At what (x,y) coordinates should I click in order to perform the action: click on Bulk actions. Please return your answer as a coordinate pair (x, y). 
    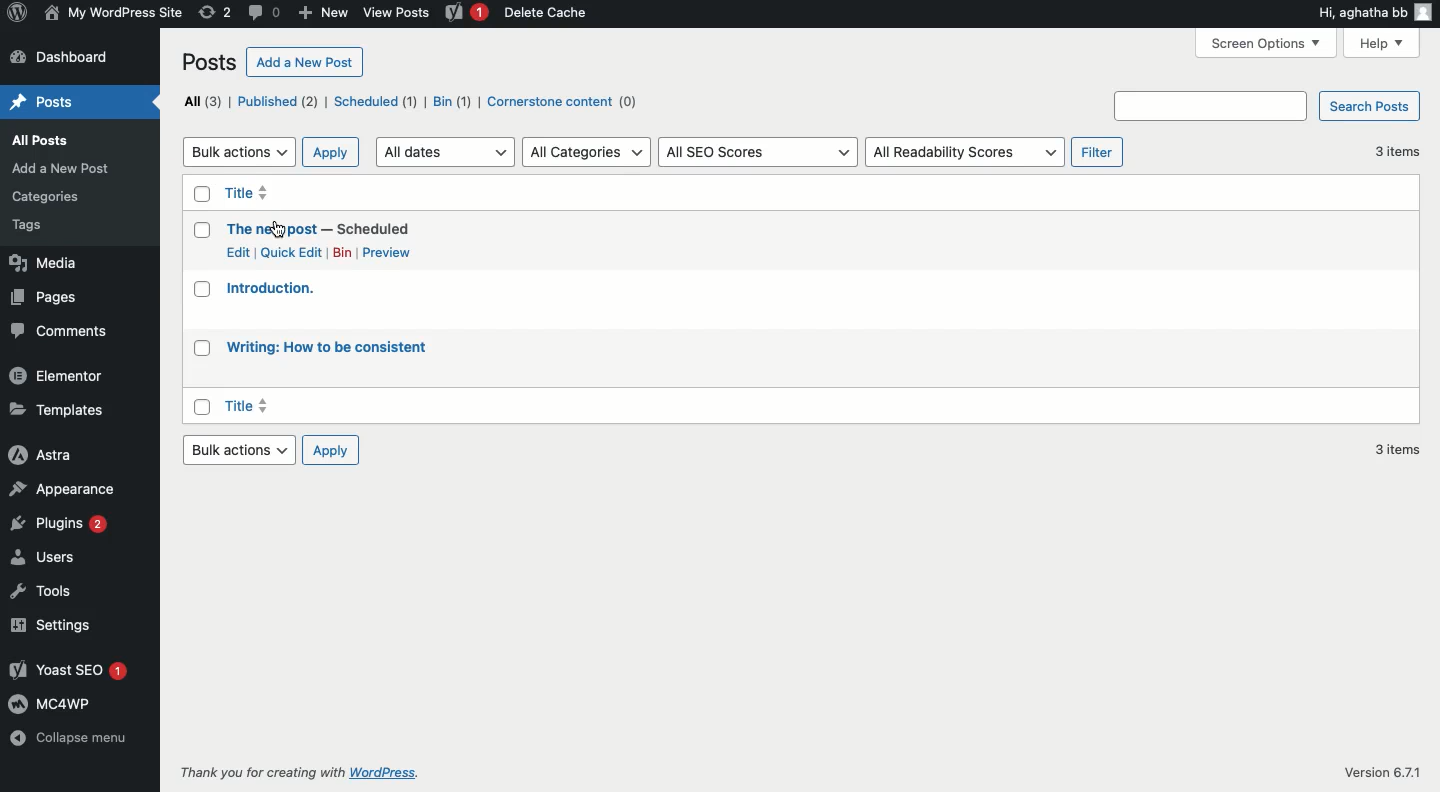
    Looking at the image, I should click on (239, 151).